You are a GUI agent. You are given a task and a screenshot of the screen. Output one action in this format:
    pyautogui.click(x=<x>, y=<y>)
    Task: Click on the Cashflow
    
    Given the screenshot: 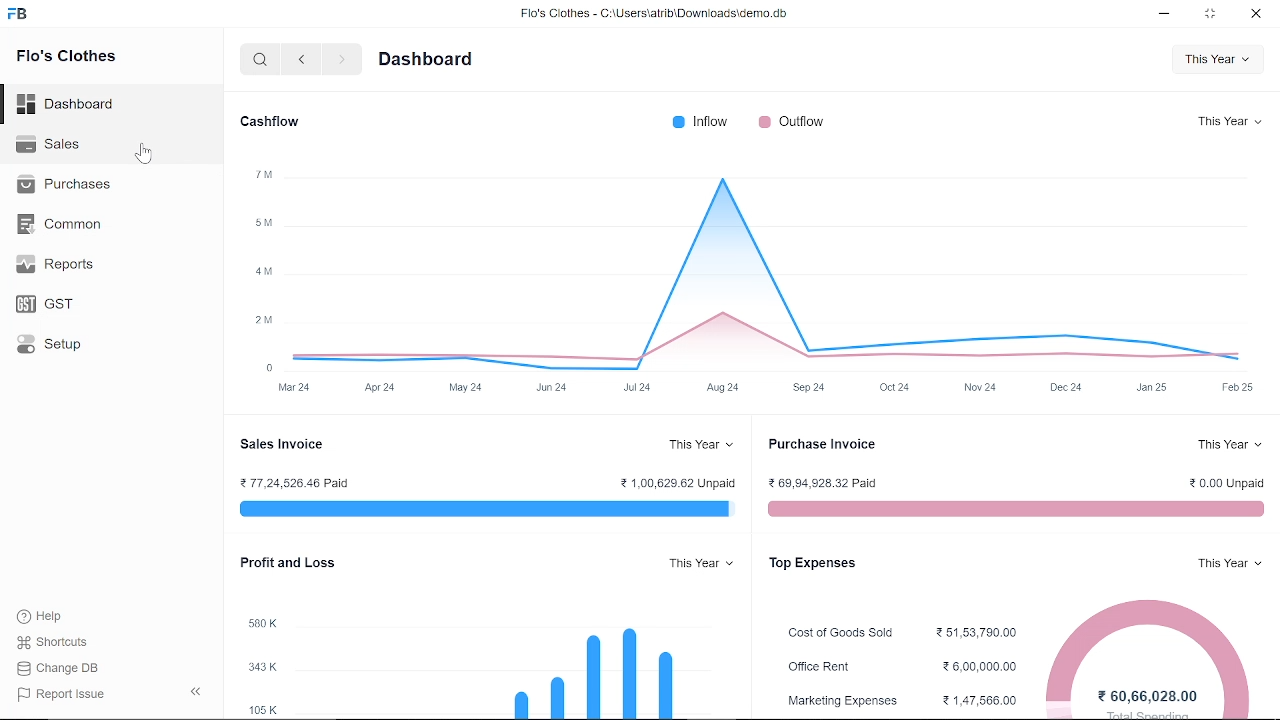 What is the action you would take?
    pyautogui.click(x=264, y=122)
    